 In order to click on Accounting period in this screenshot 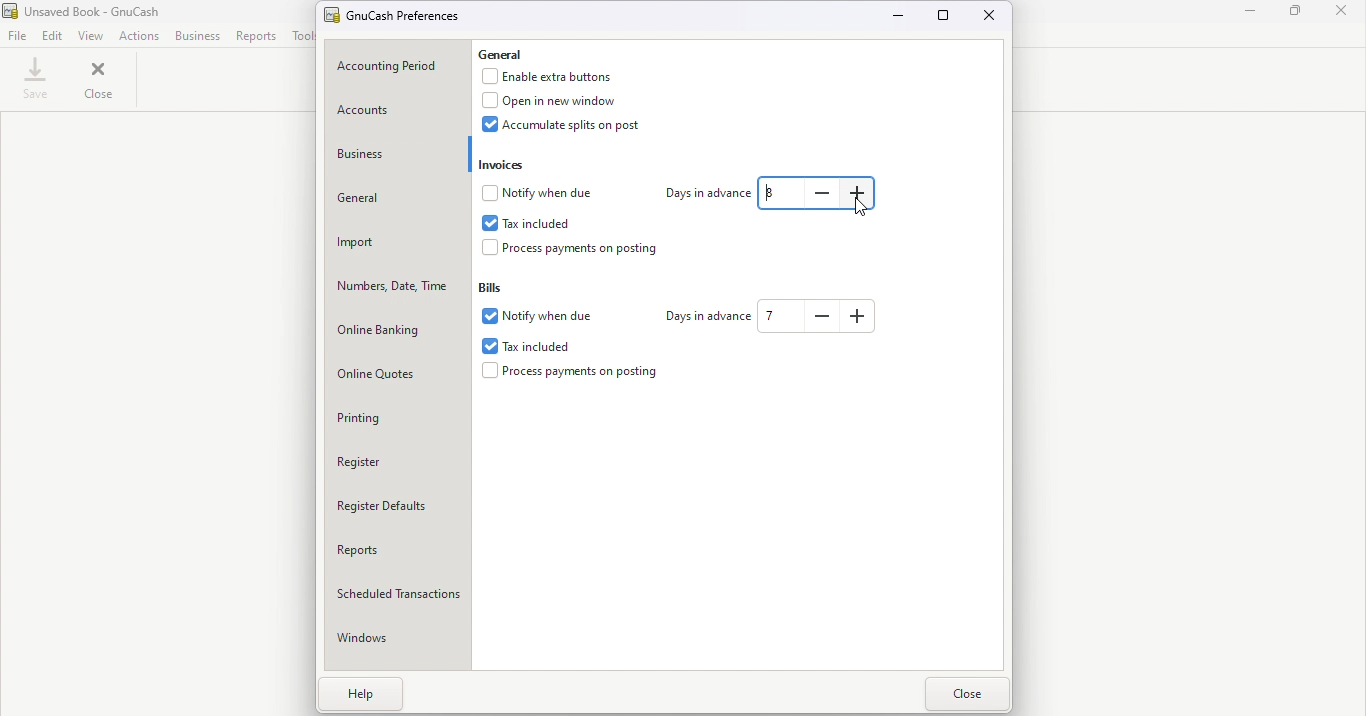, I will do `click(399, 66)`.